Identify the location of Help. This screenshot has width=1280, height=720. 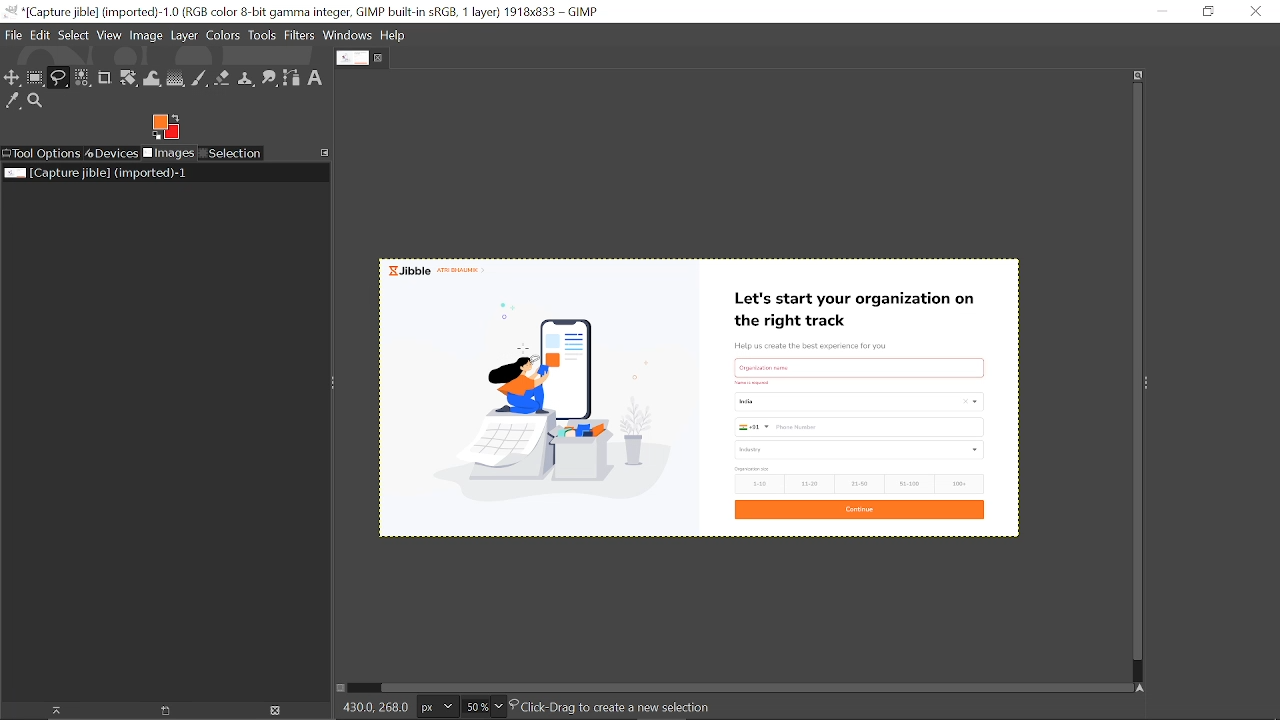
(394, 36).